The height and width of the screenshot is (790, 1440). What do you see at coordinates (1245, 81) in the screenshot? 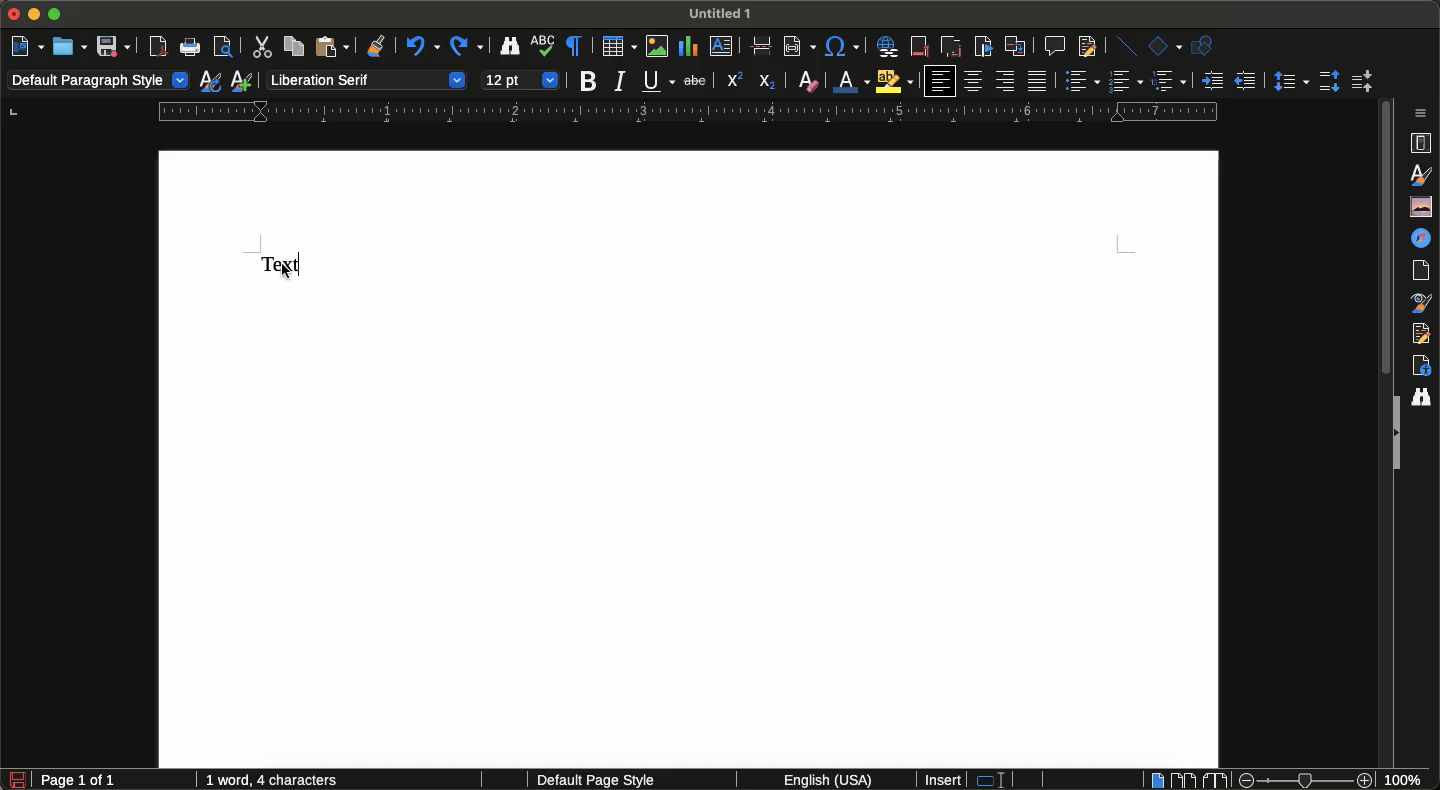
I see `Decrease` at bounding box center [1245, 81].